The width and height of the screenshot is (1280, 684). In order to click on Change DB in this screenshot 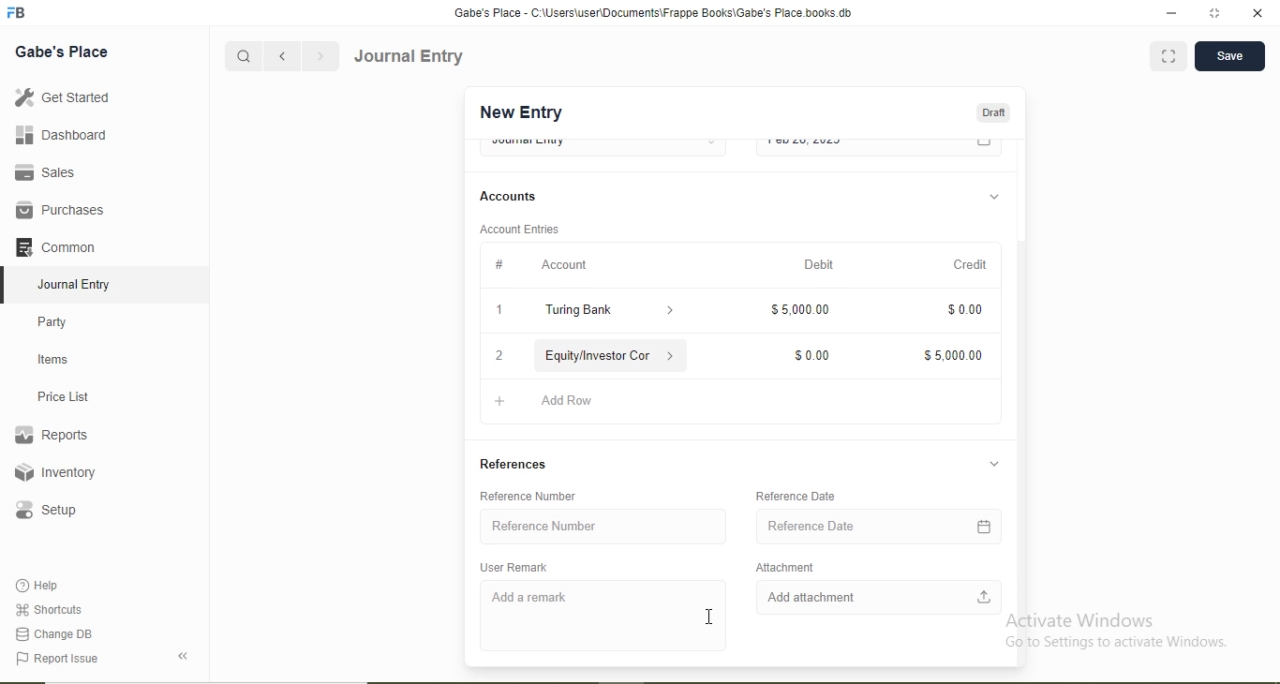, I will do `click(52, 635)`.